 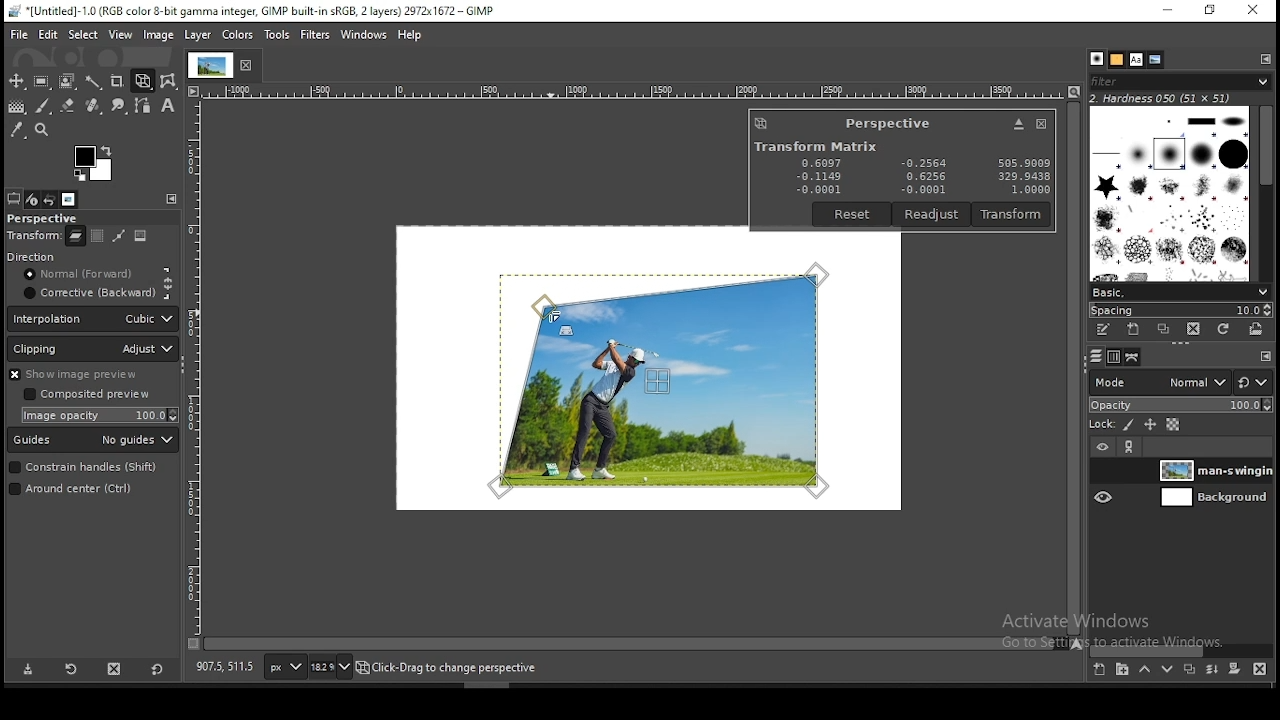 What do you see at coordinates (33, 237) in the screenshot?
I see `transform` at bounding box center [33, 237].